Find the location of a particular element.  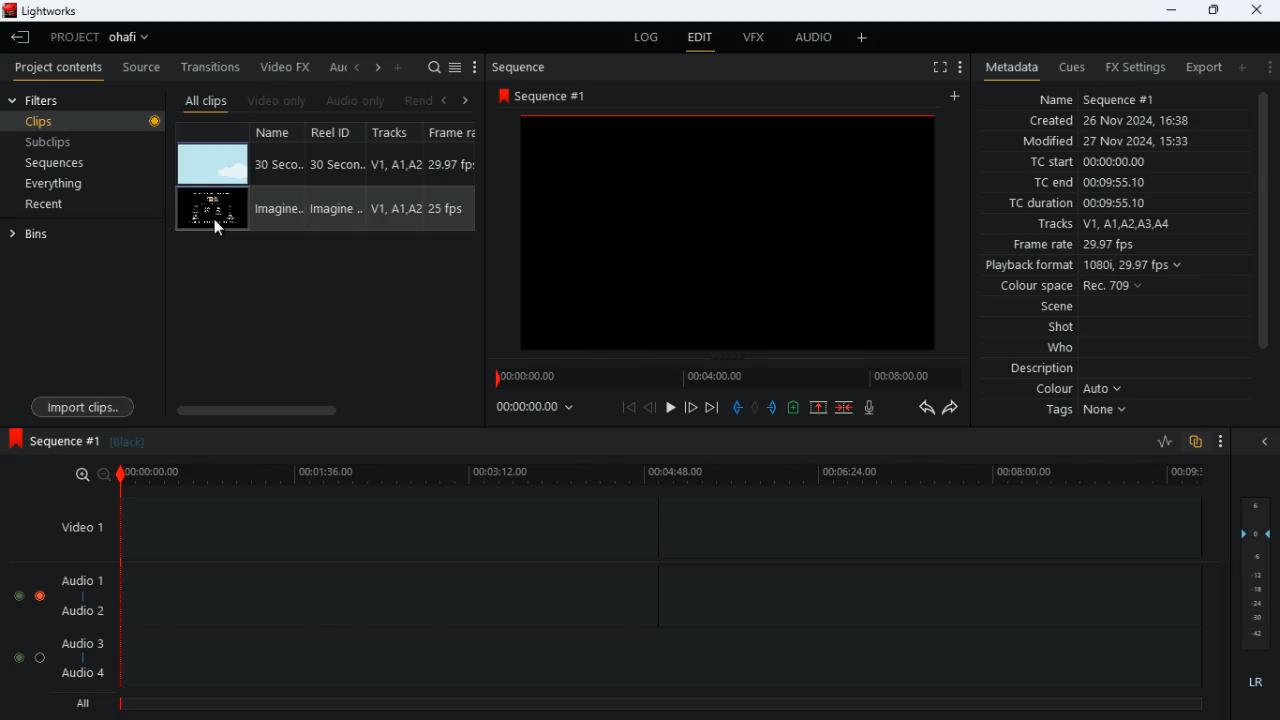

source is located at coordinates (142, 68).